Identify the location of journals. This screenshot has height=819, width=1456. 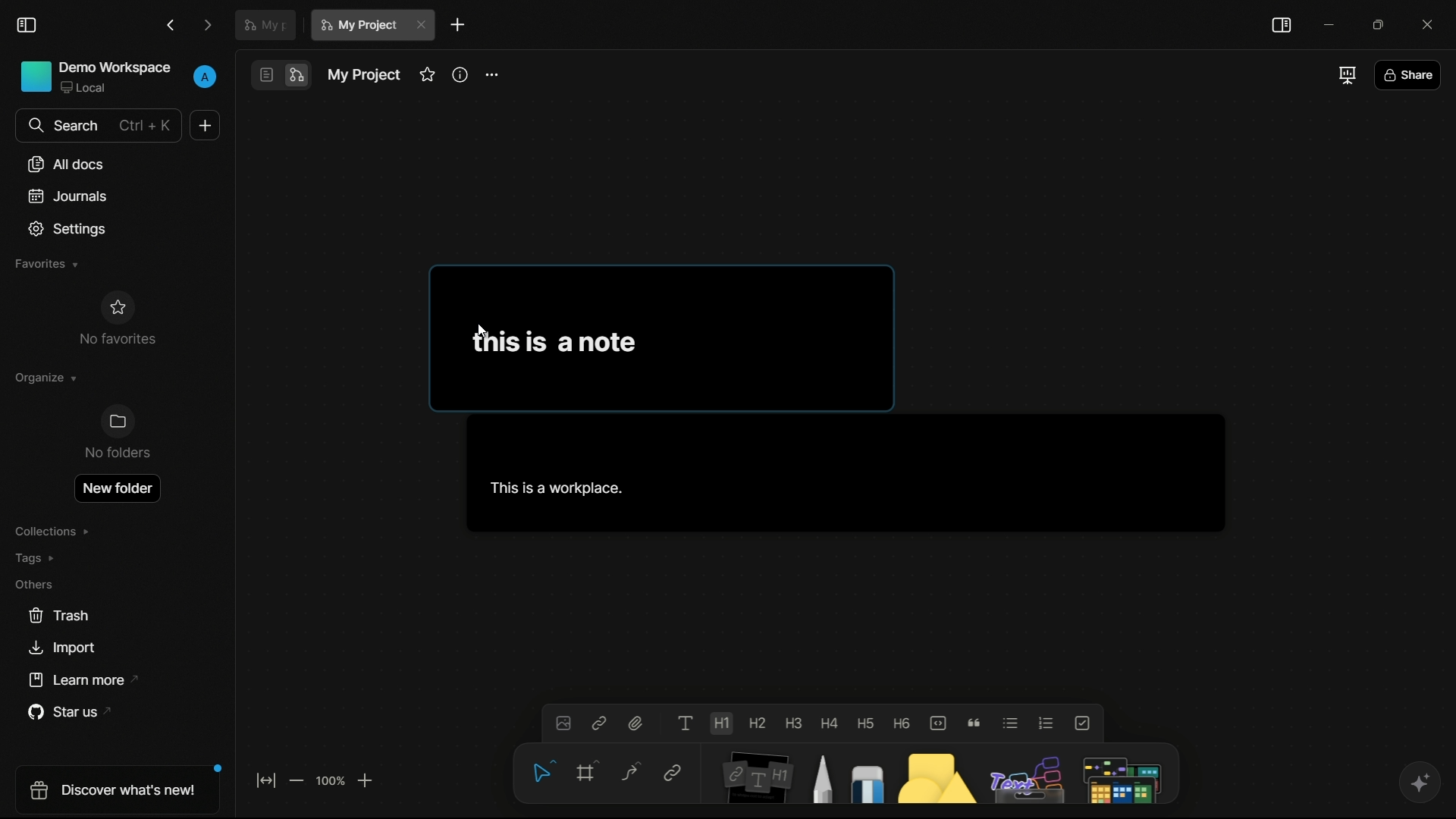
(72, 193).